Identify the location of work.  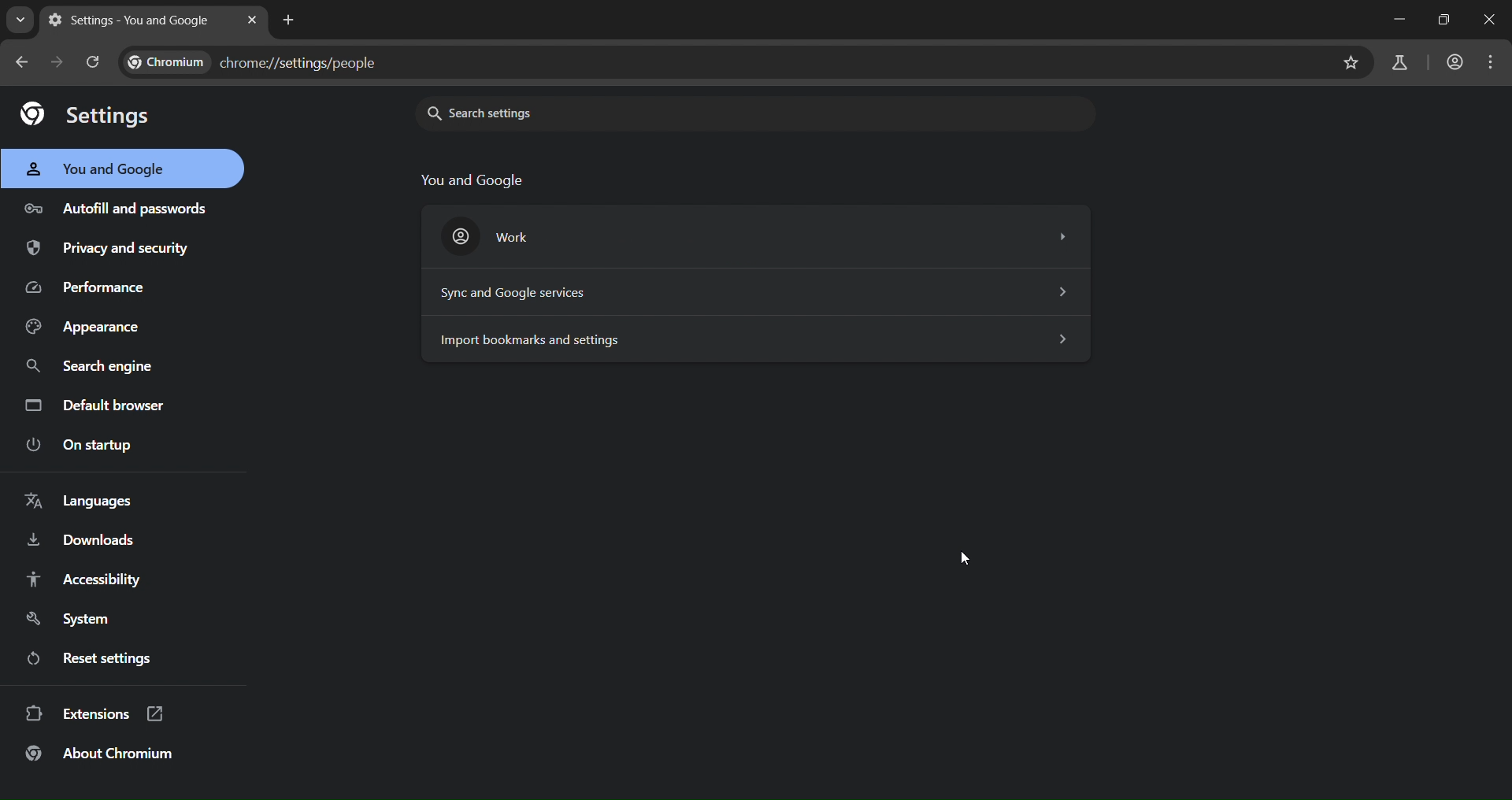
(751, 233).